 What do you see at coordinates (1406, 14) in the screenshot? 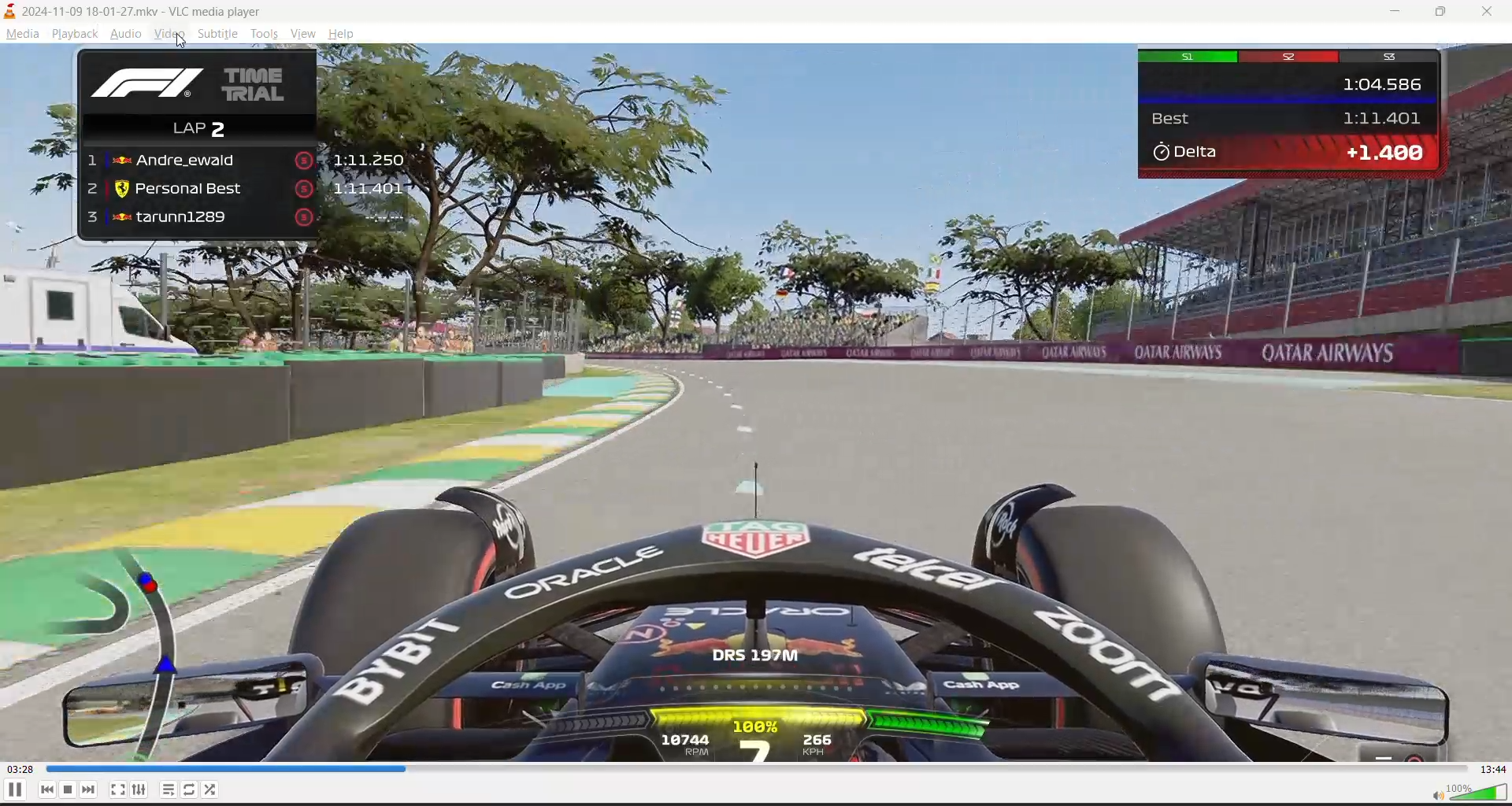
I see `minimize` at bounding box center [1406, 14].